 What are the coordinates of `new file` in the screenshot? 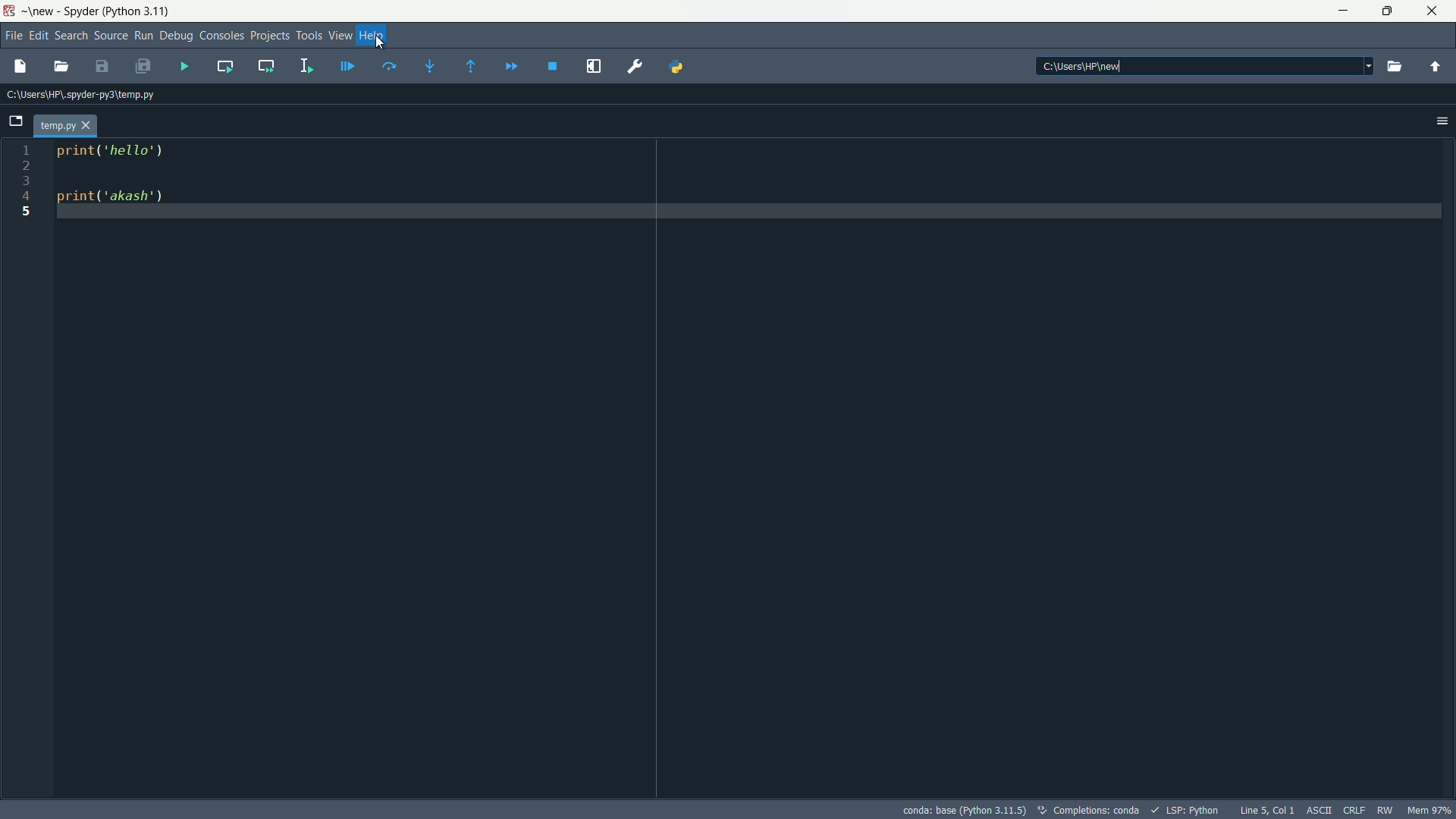 It's located at (20, 67).